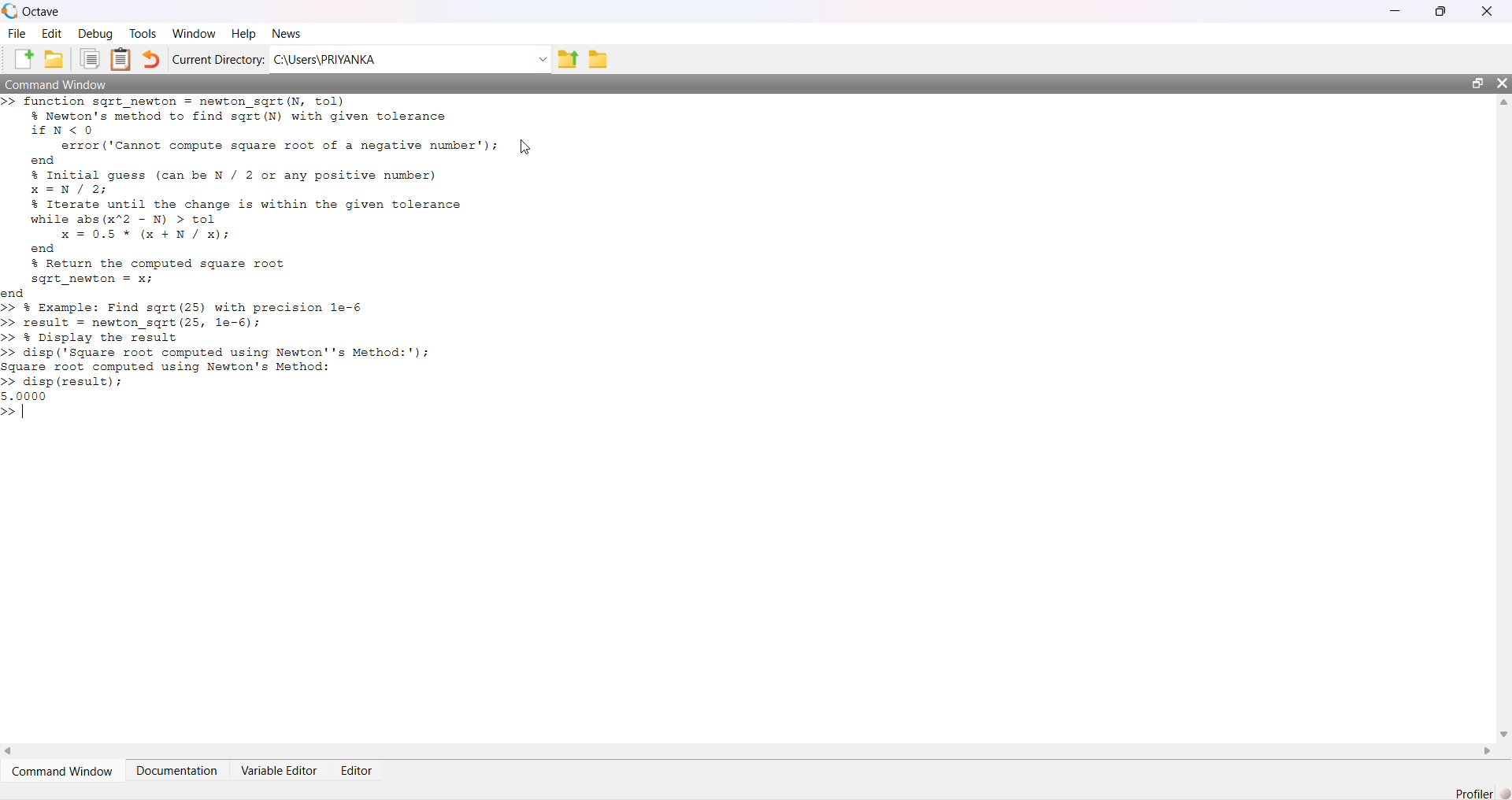 This screenshot has width=1512, height=800. I want to click on Command Window, so click(66, 772).